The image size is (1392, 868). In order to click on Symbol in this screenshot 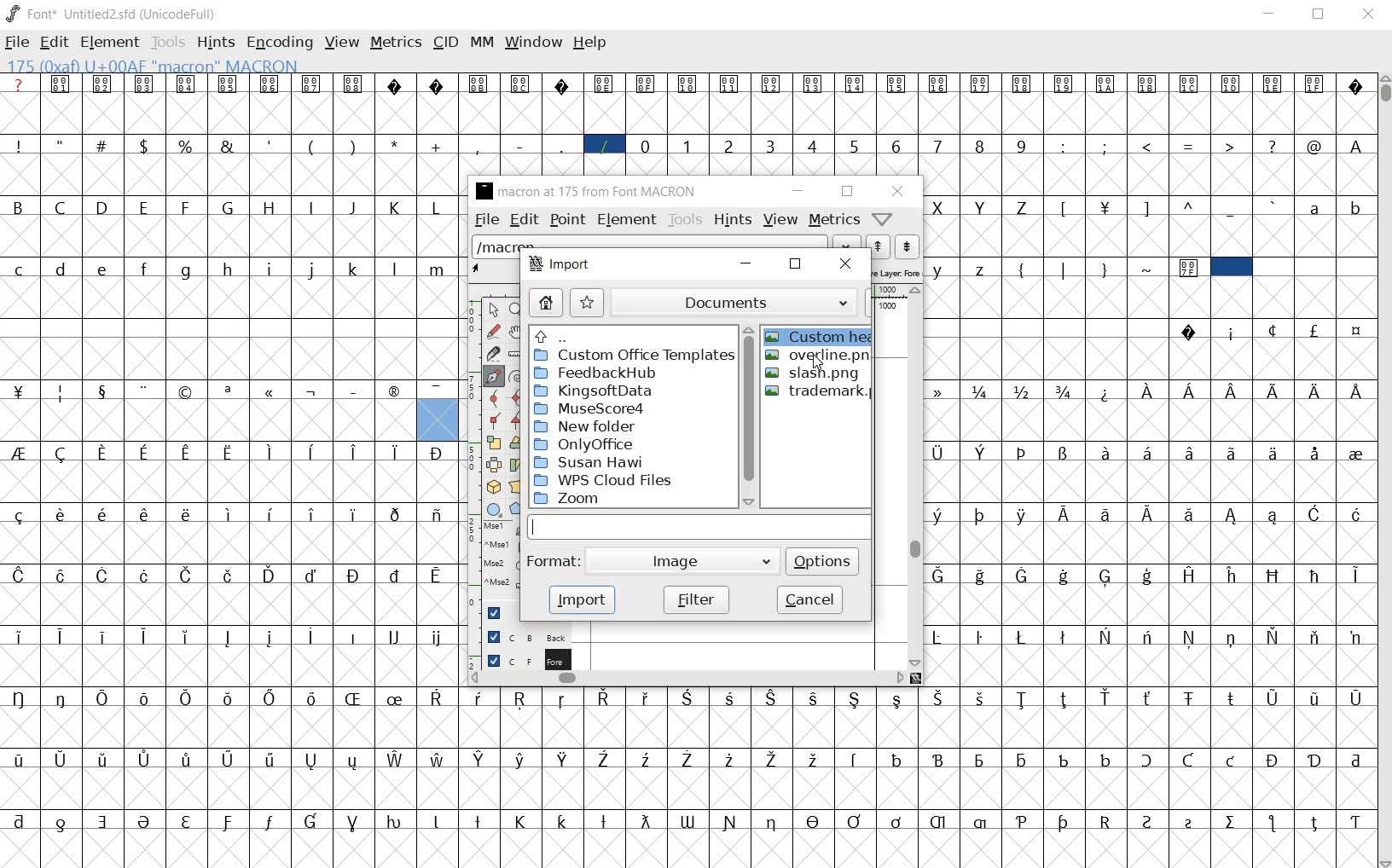, I will do `click(313, 515)`.